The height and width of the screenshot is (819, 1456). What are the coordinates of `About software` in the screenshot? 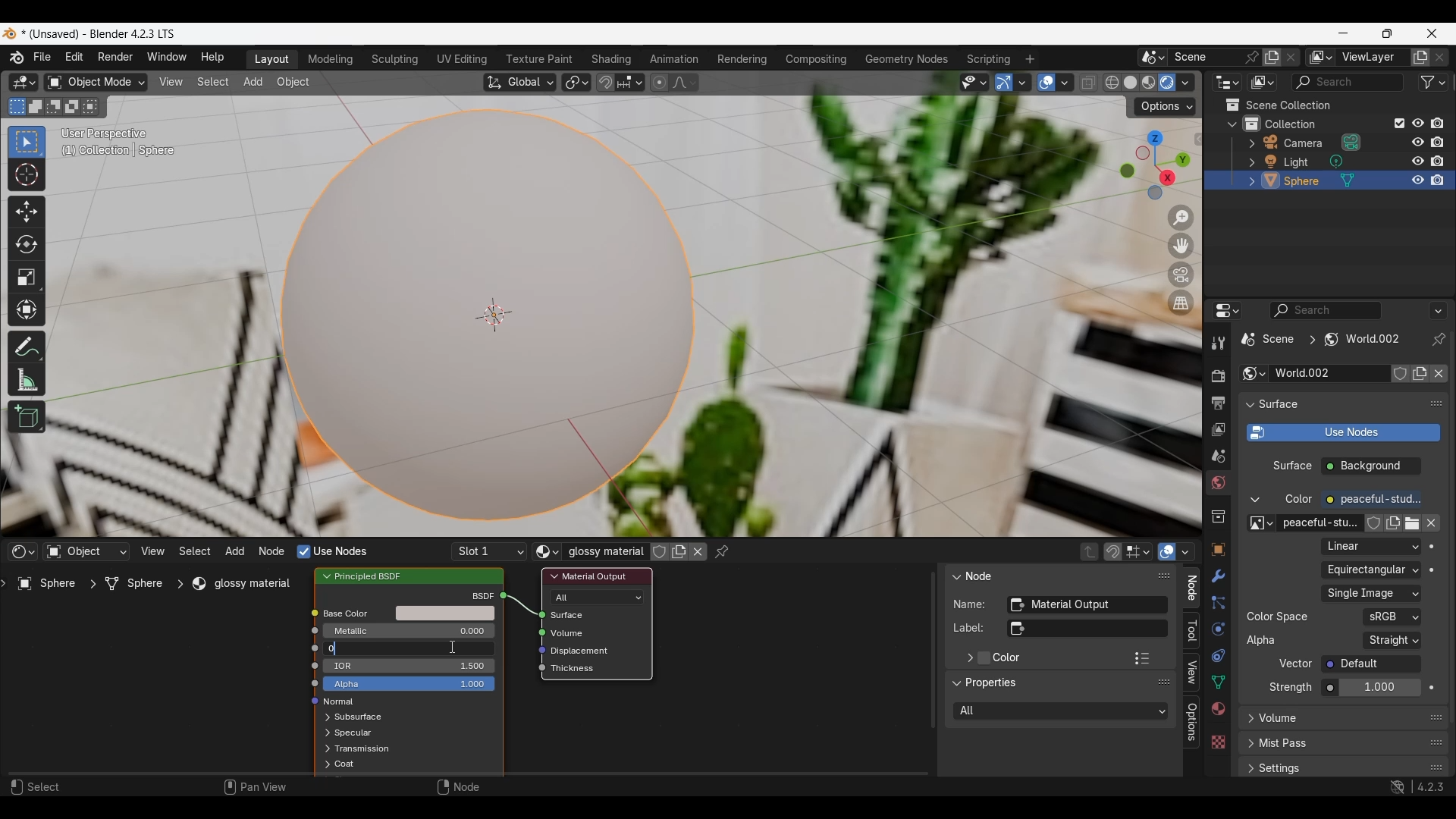 It's located at (16, 58).